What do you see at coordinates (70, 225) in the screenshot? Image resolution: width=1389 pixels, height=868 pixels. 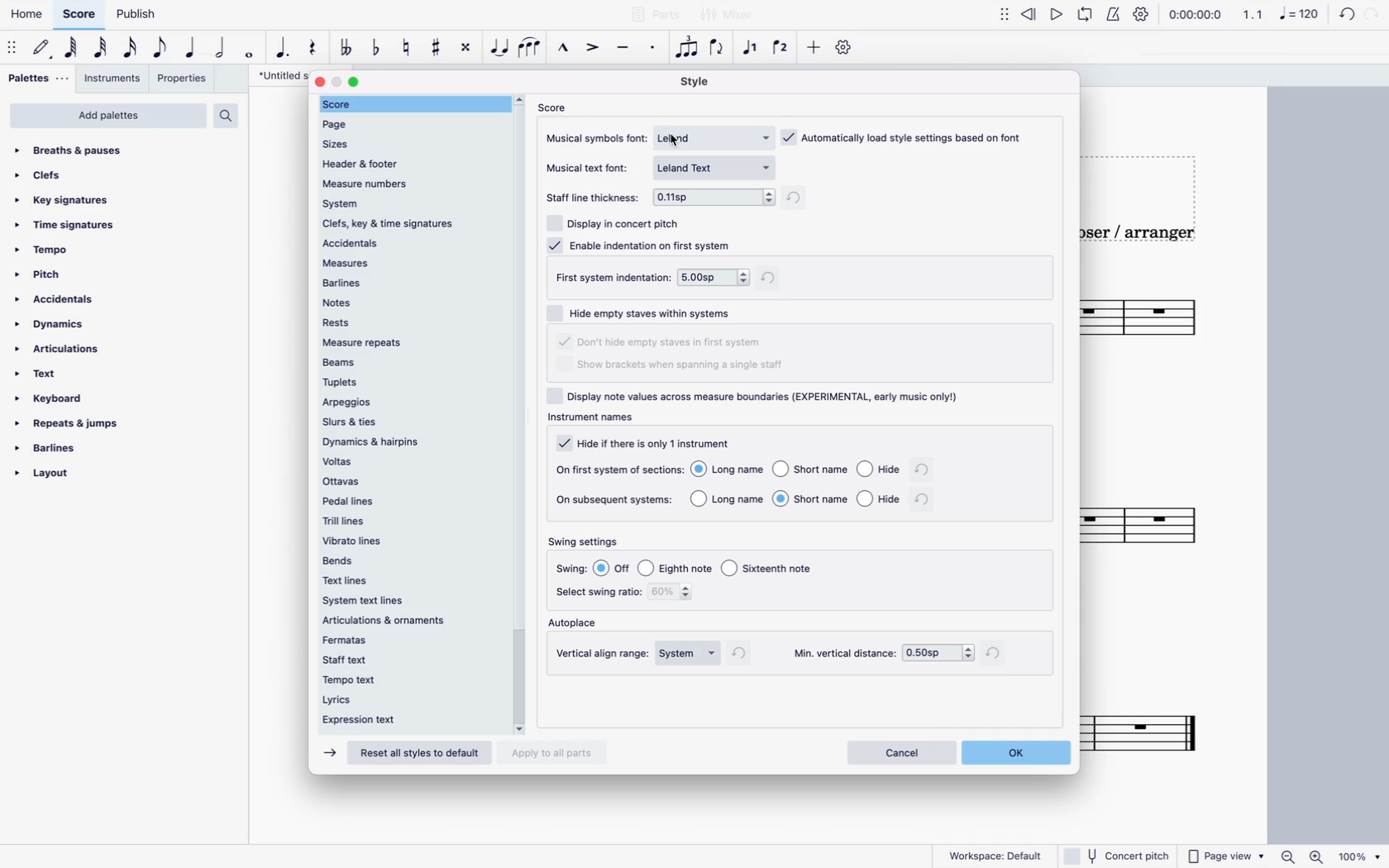 I see `time signatures` at bounding box center [70, 225].